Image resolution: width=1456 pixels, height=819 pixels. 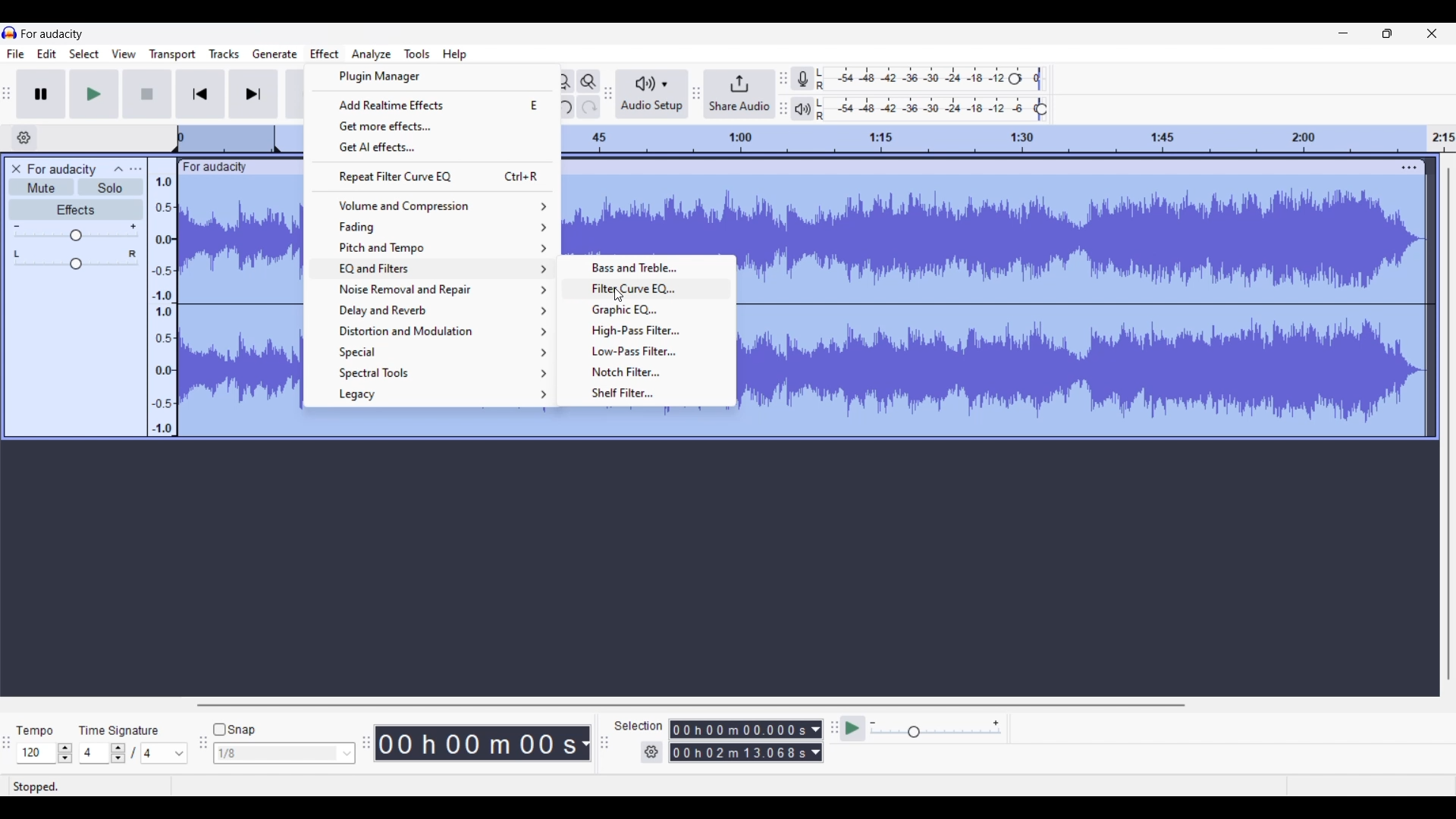 What do you see at coordinates (25, 137) in the screenshot?
I see `Timeline options` at bounding box center [25, 137].